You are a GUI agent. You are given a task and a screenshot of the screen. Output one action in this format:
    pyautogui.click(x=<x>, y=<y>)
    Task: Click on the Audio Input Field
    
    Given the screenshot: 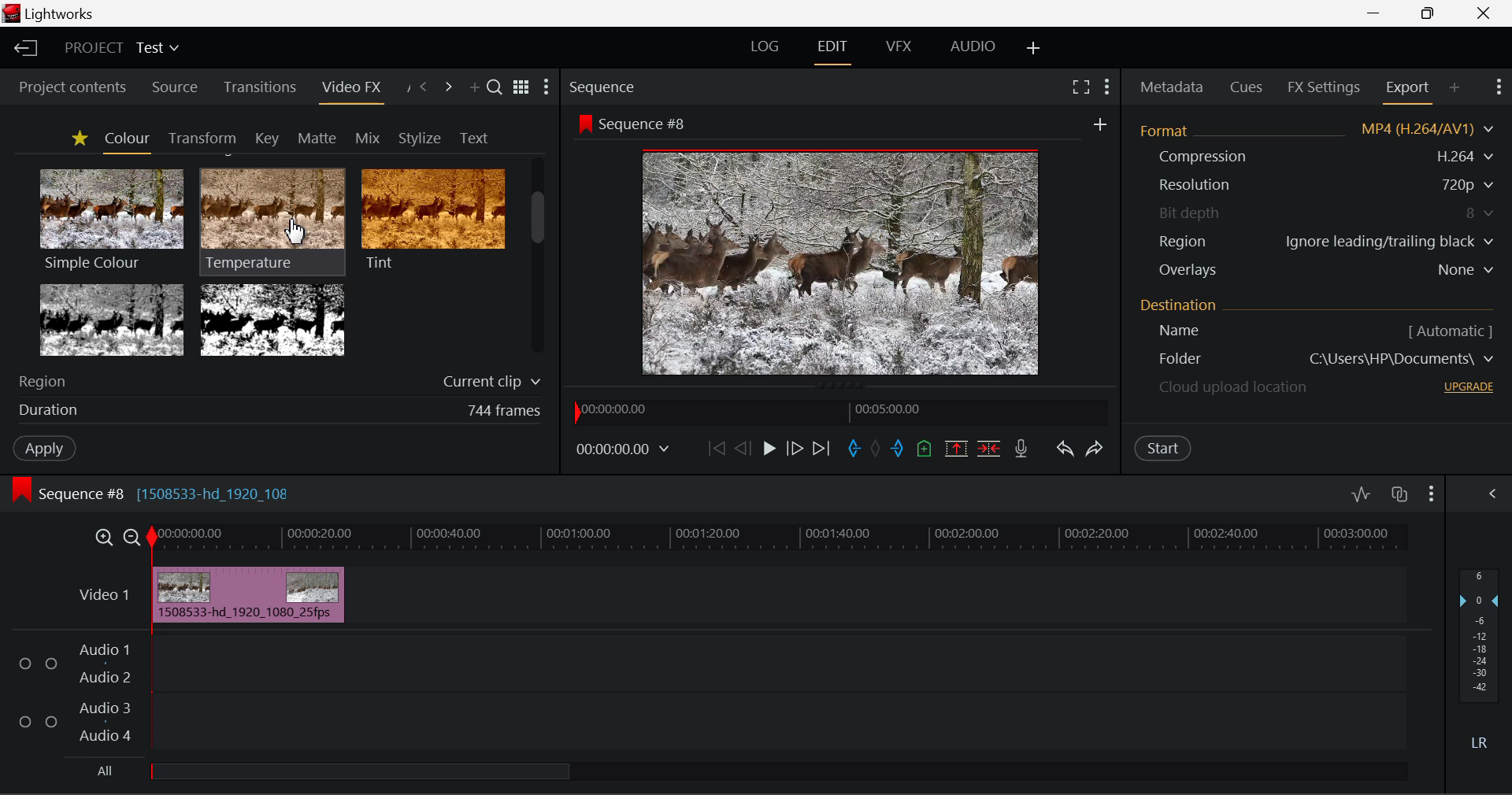 What is the action you would take?
    pyautogui.click(x=773, y=691)
    